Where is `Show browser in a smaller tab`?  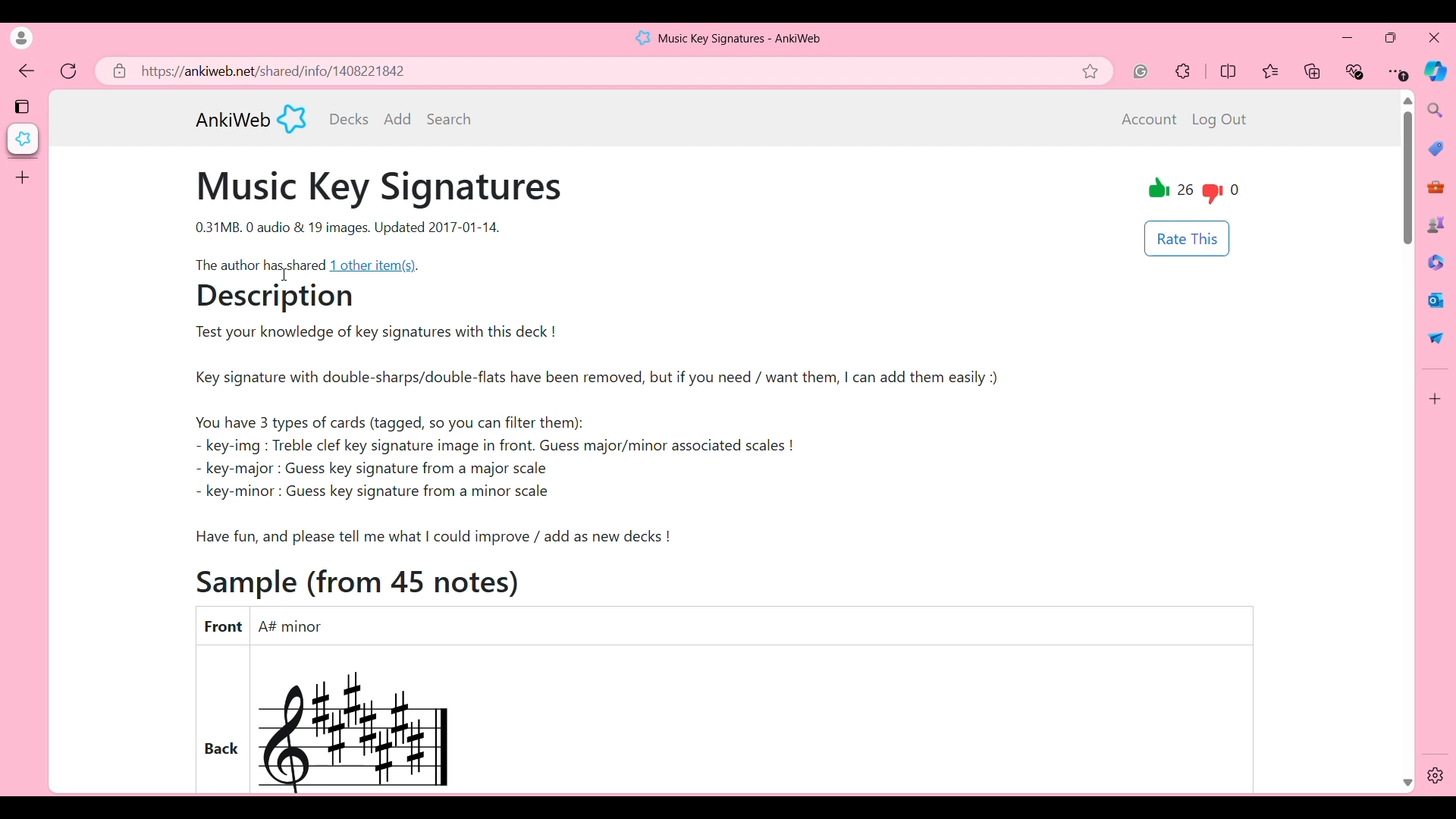 Show browser in a smaller tab is located at coordinates (1391, 37).